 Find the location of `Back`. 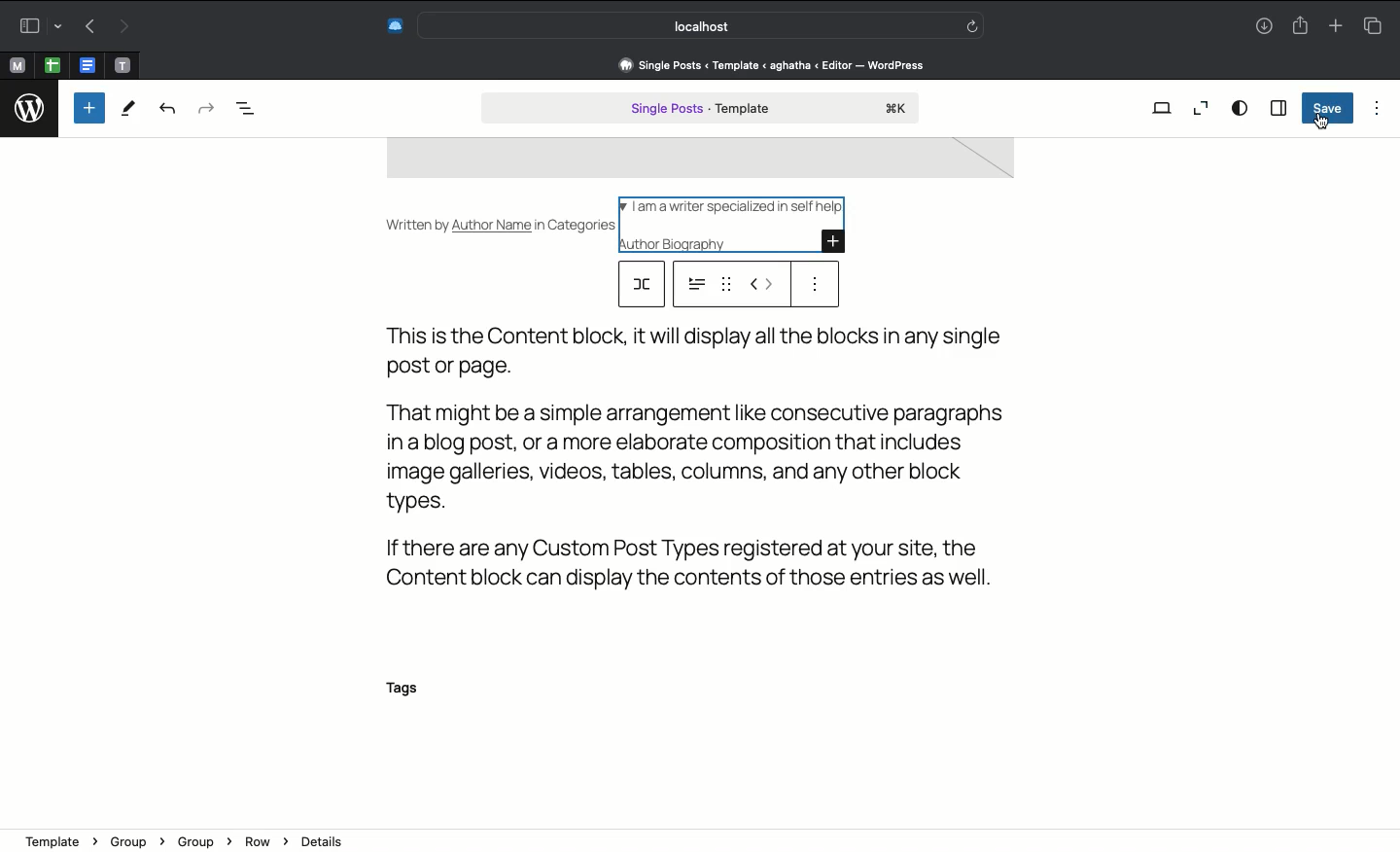

Back is located at coordinates (89, 27).